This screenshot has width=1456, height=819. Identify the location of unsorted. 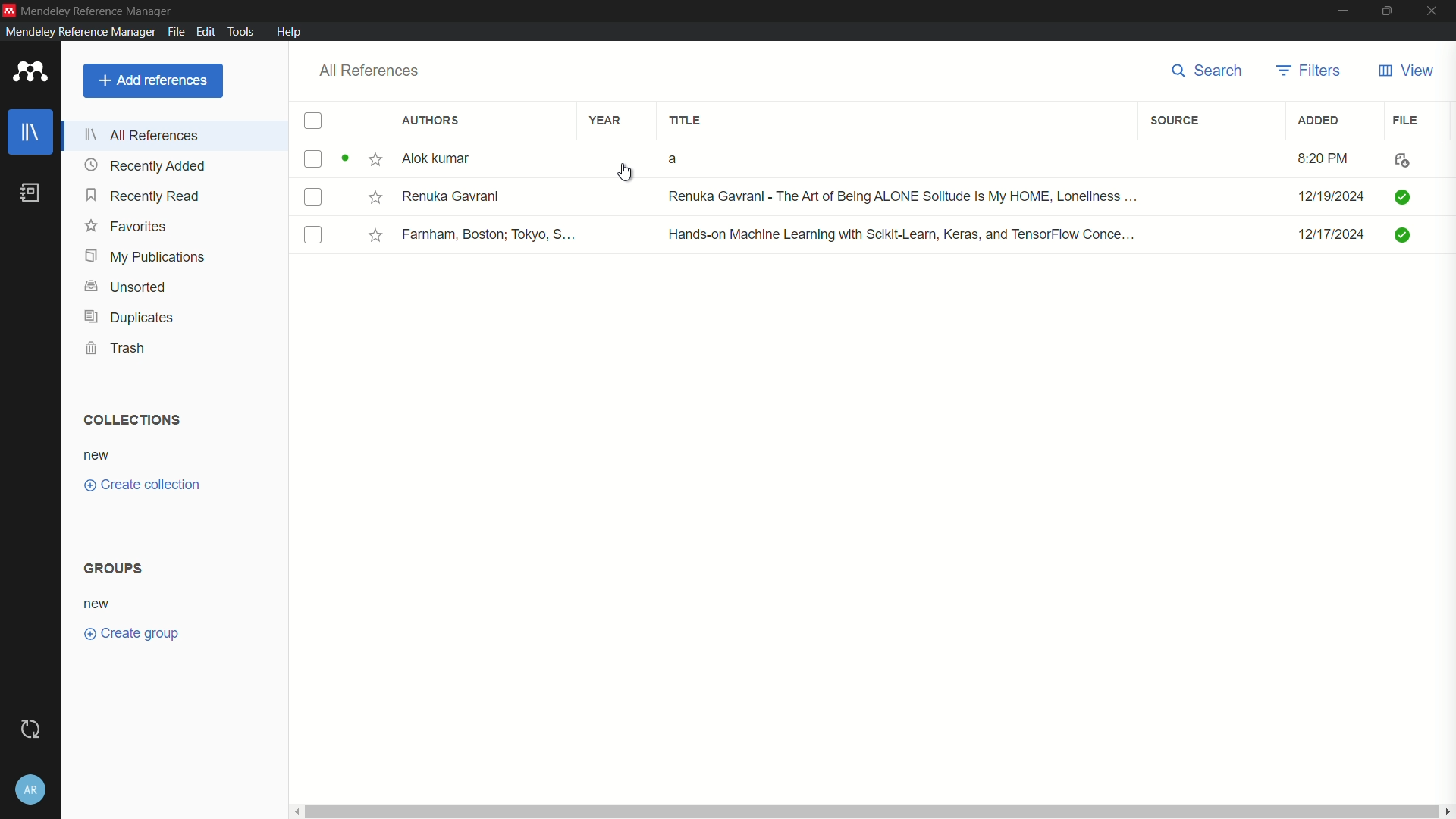
(127, 288).